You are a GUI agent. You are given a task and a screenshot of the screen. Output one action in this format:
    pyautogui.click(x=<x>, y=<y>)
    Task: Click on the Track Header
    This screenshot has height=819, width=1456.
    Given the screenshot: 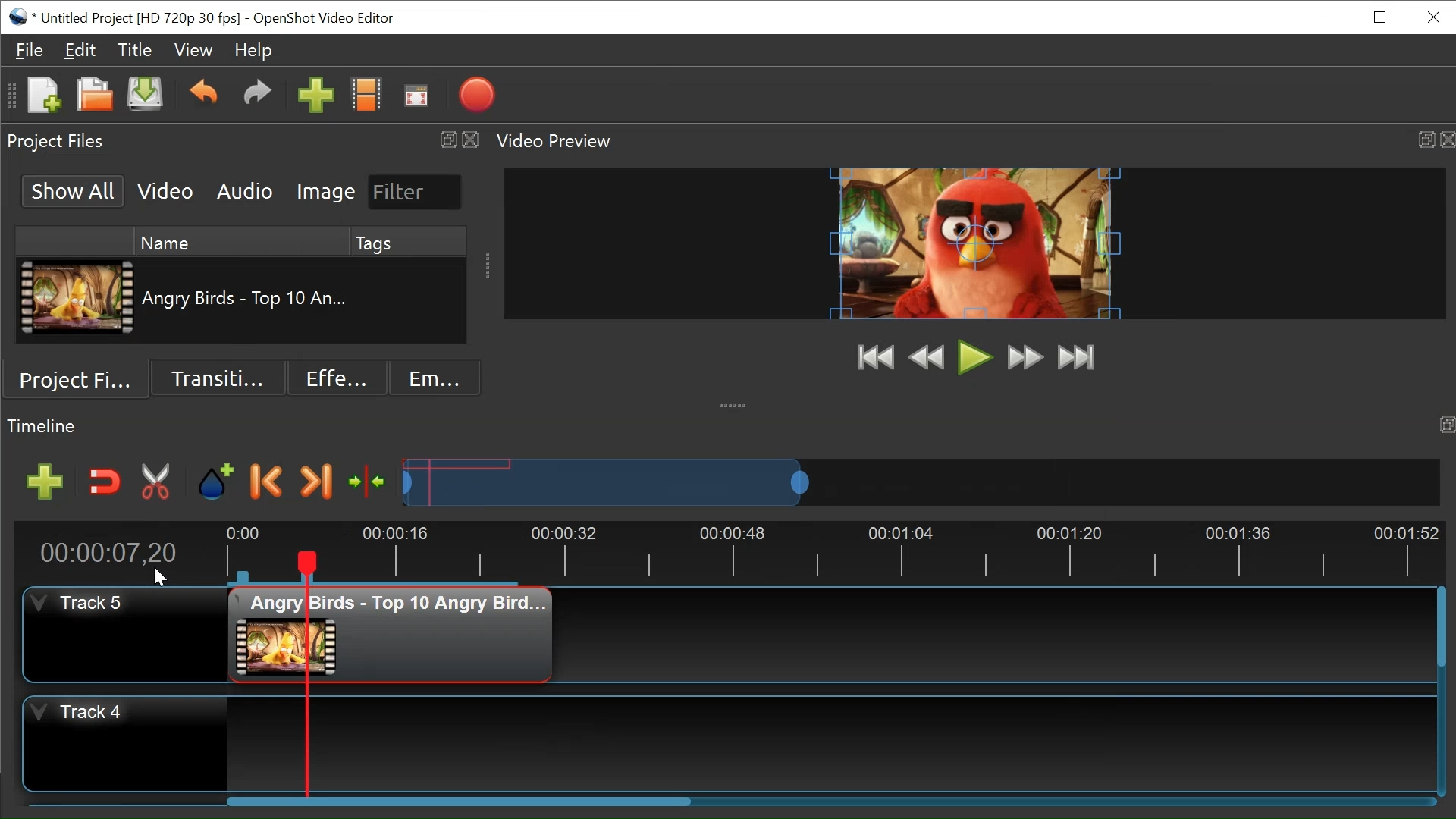 What is the action you would take?
    pyautogui.click(x=96, y=602)
    